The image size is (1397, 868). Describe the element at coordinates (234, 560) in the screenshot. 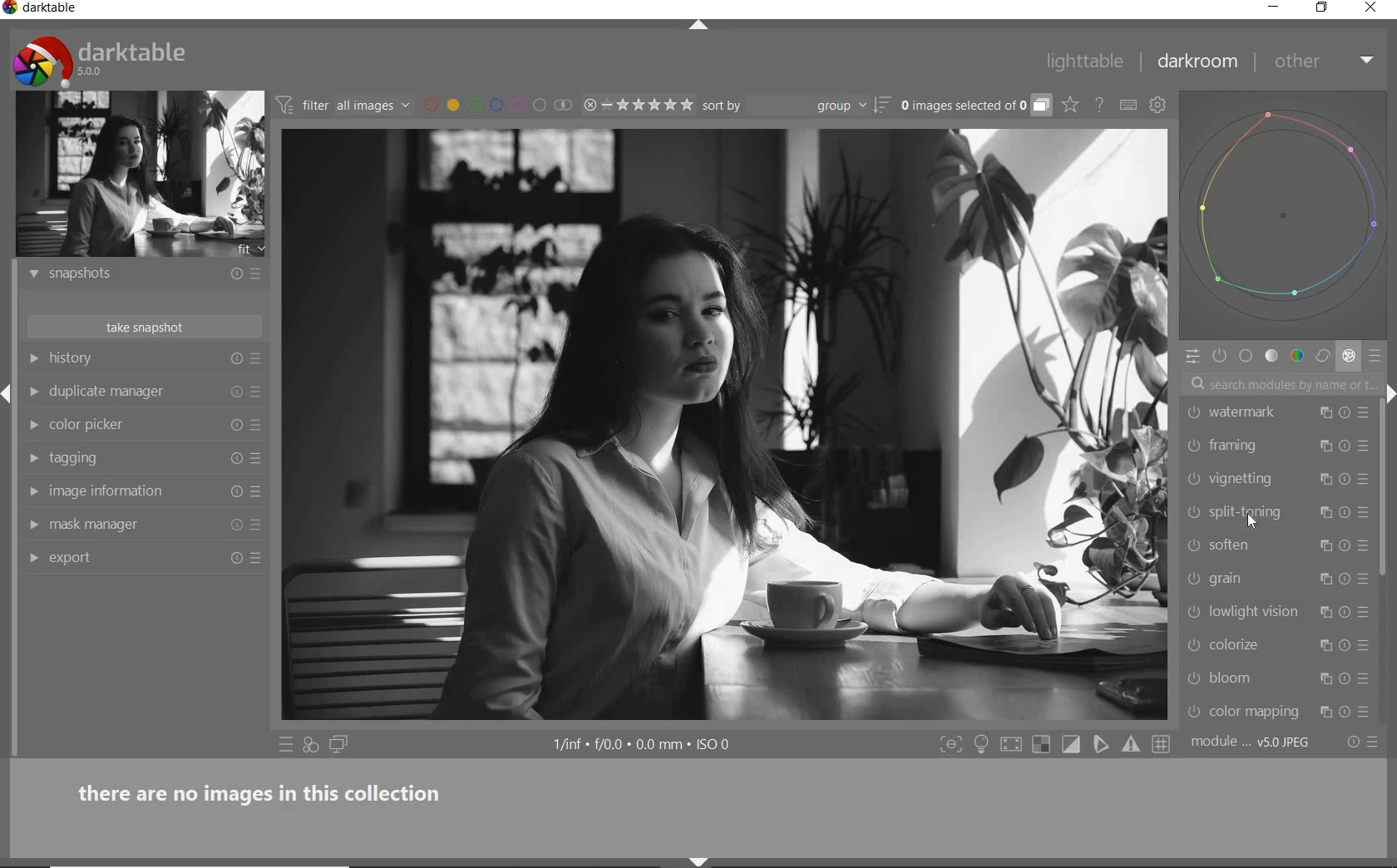

I see `reset` at that location.